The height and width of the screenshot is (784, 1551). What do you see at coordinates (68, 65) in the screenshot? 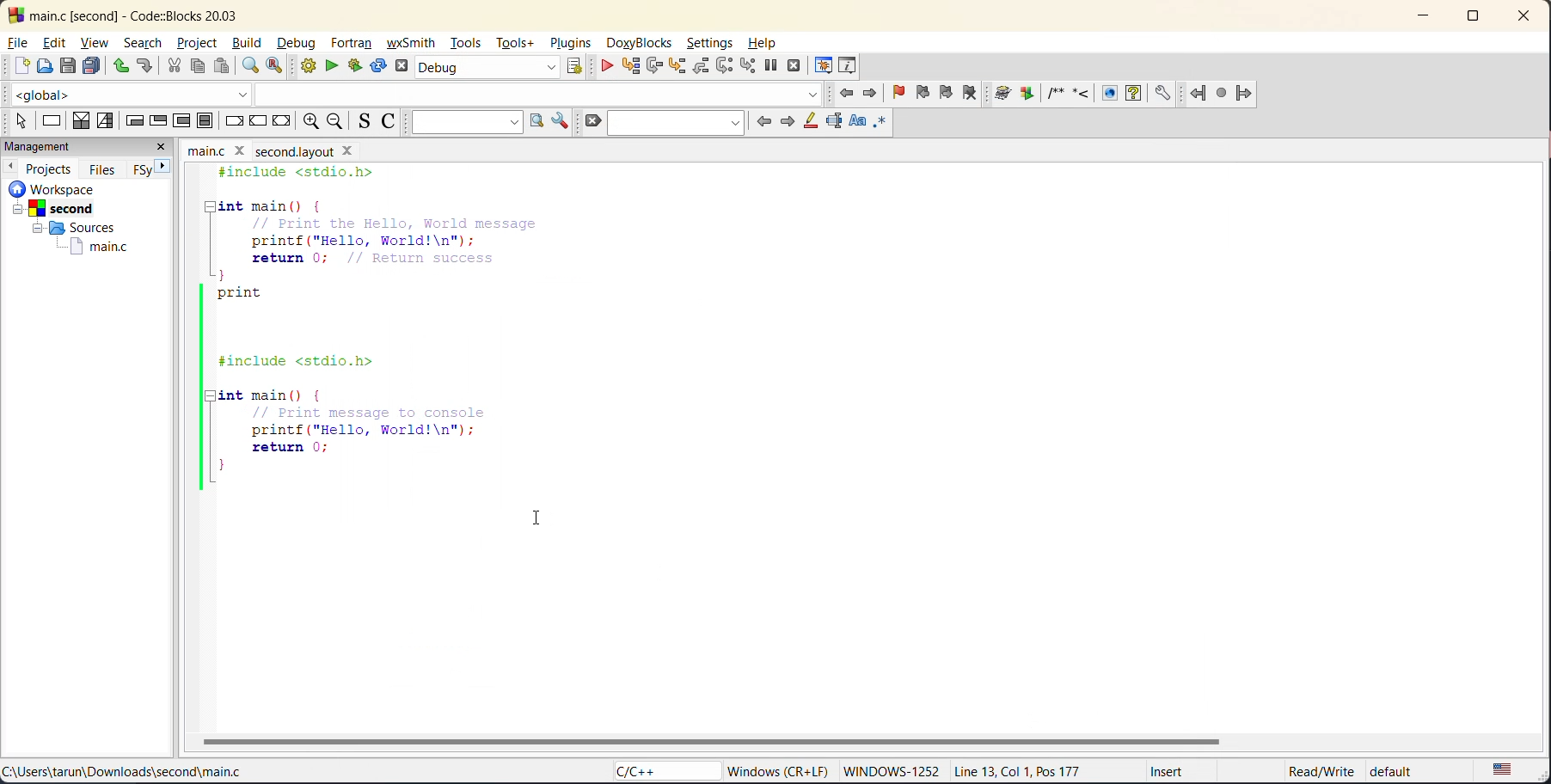
I see `save` at bounding box center [68, 65].